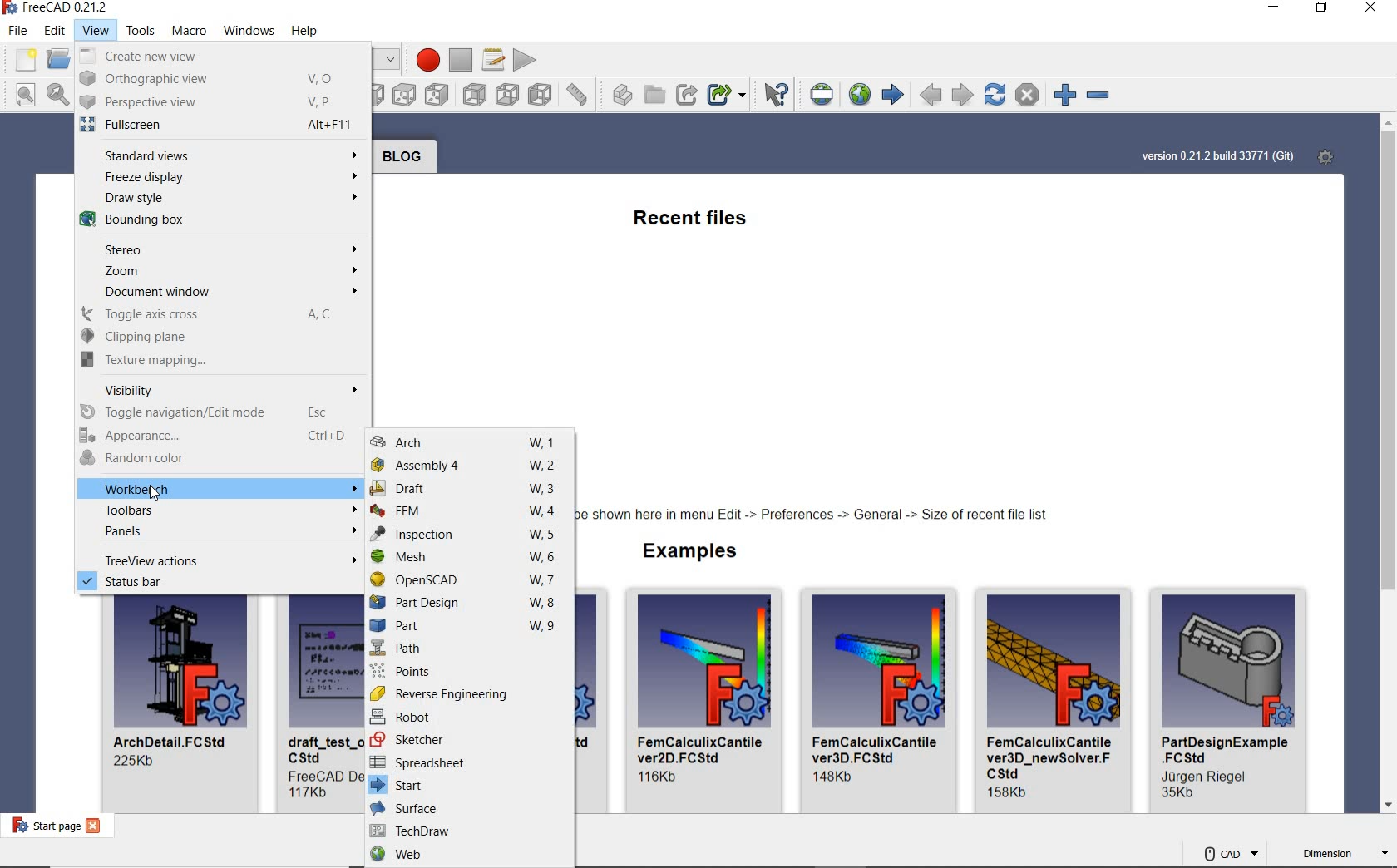  I want to click on refresh webpage, so click(994, 94).